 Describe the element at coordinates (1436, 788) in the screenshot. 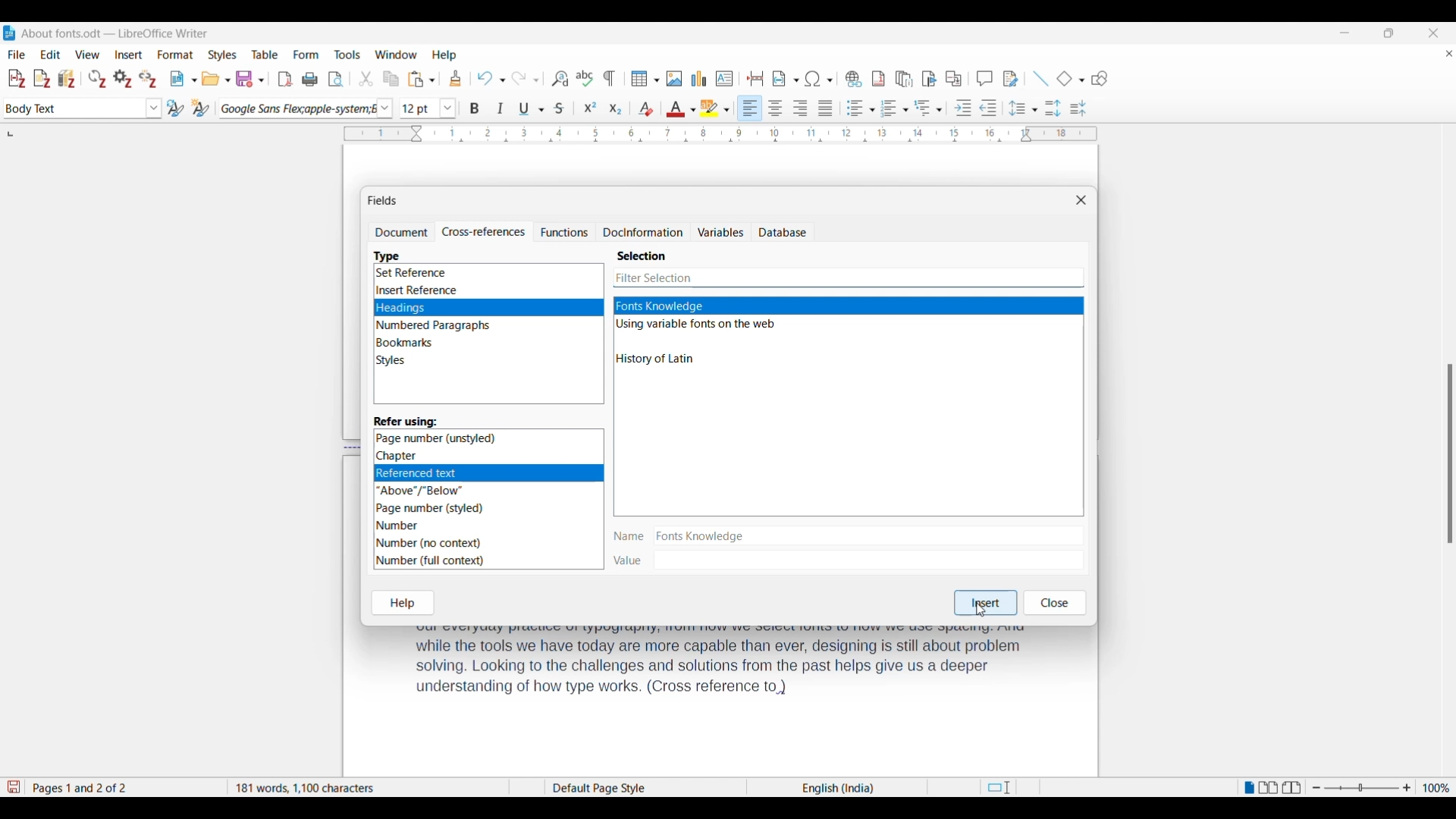

I see `Current zoom factor` at that location.